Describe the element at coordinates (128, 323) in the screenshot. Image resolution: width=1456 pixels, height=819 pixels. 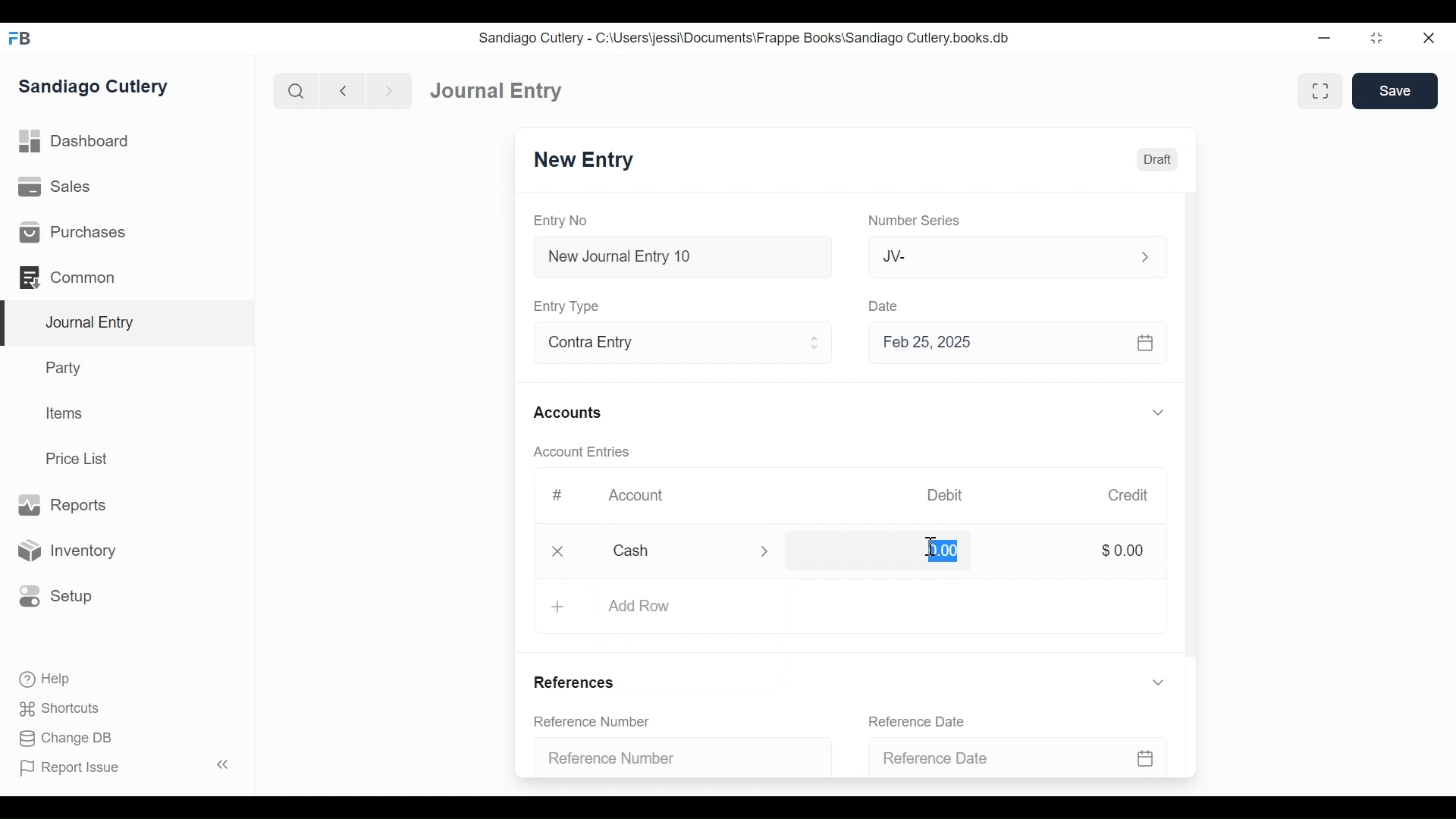
I see `Journal Entry` at that location.